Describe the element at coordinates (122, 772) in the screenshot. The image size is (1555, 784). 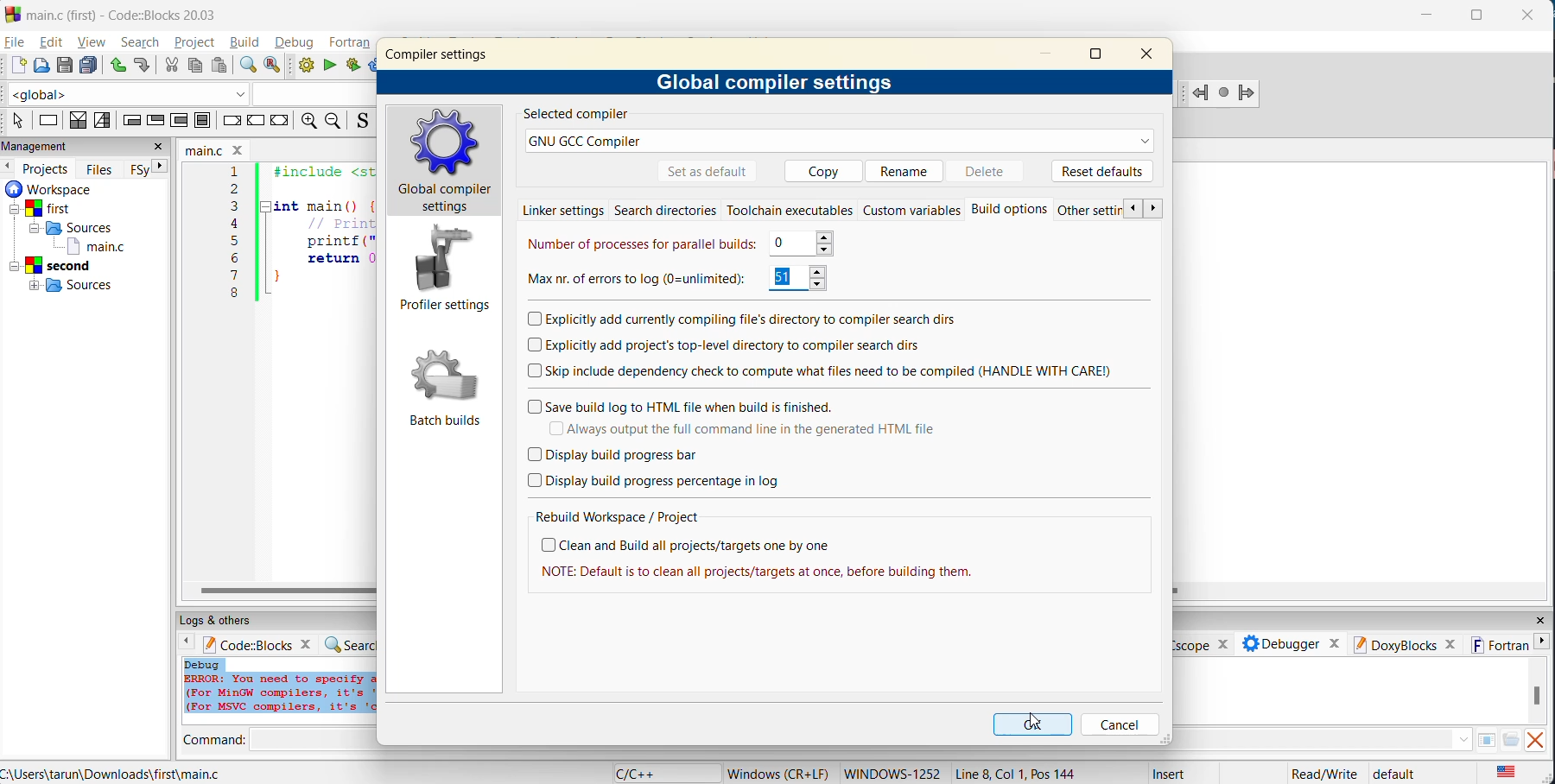
I see `C:\Users\tarun\Downloads\first\main.c` at that location.